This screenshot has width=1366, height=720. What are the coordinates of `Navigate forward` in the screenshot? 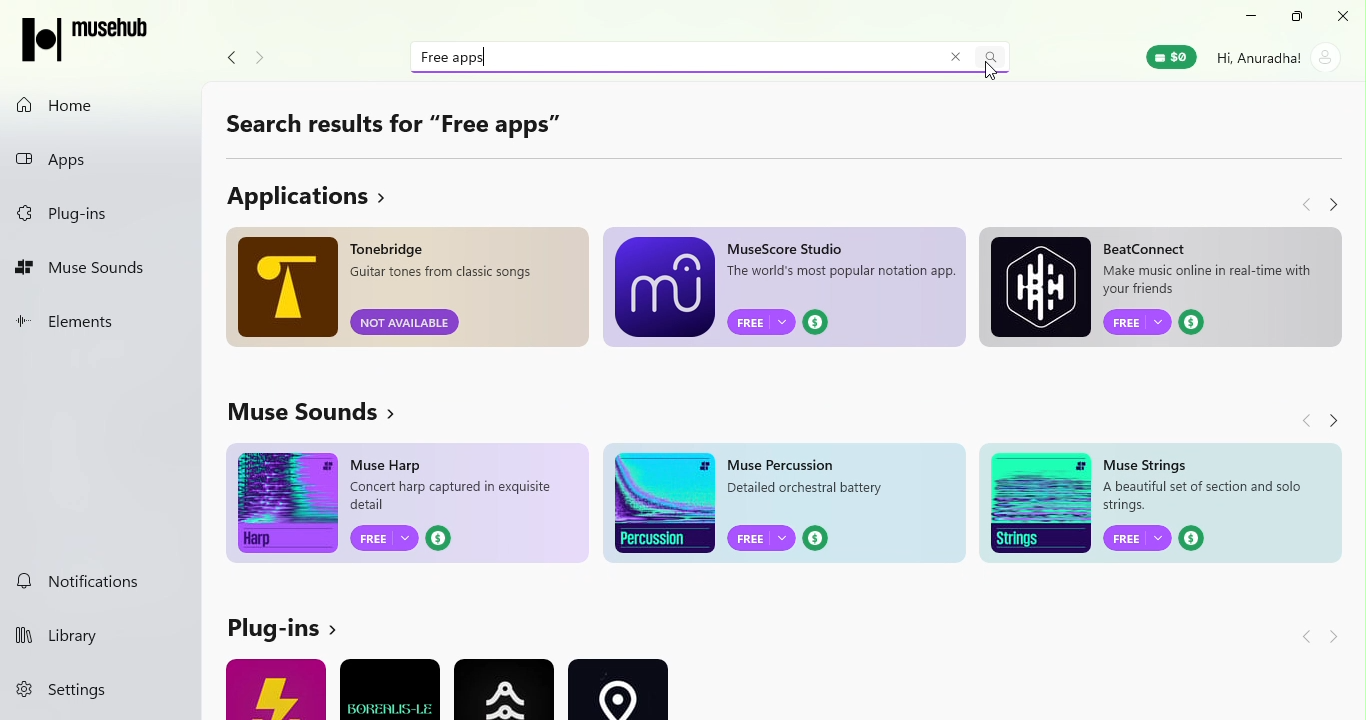 It's located at (267, 59).